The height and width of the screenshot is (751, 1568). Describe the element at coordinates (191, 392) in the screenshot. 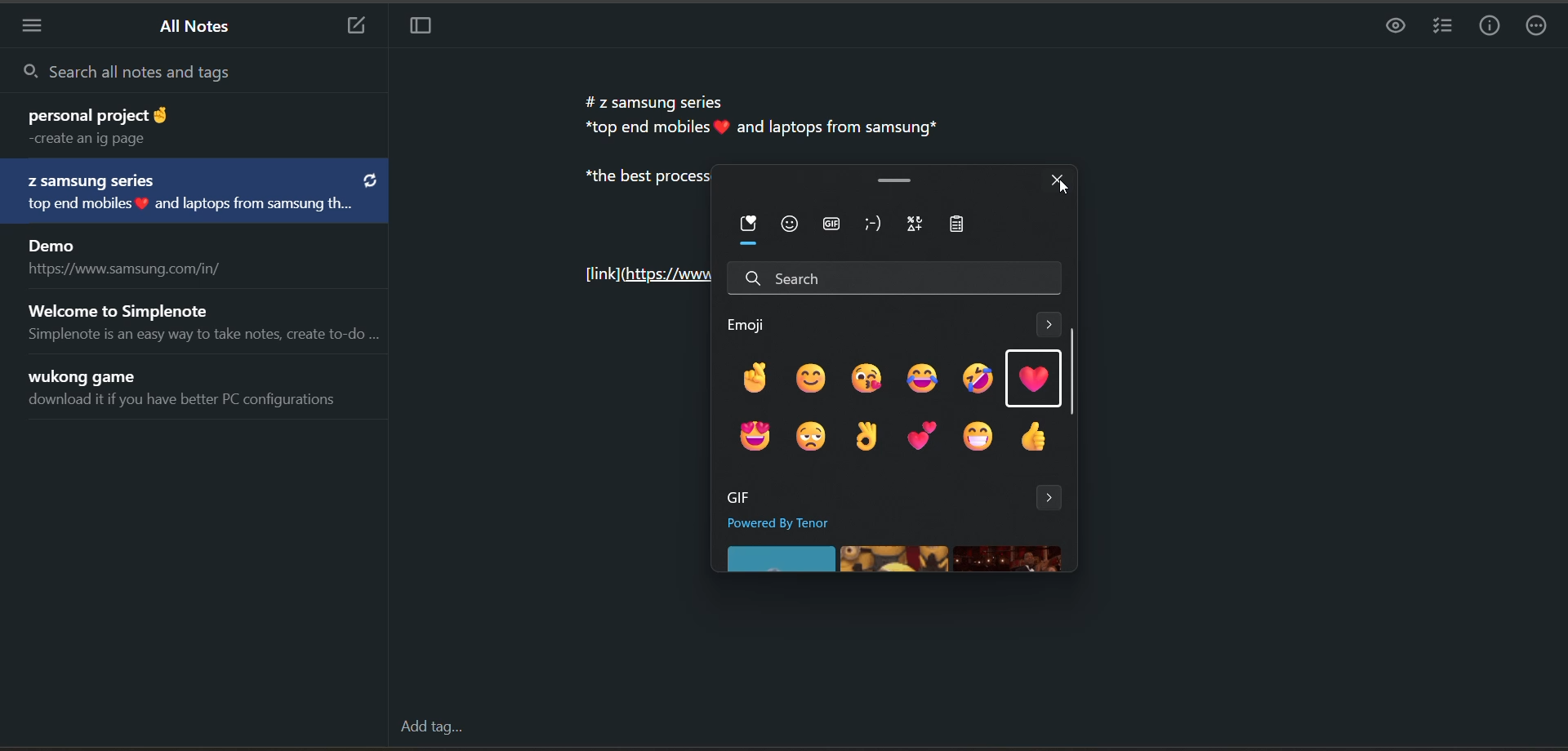

I see `note title and preview` at that location.